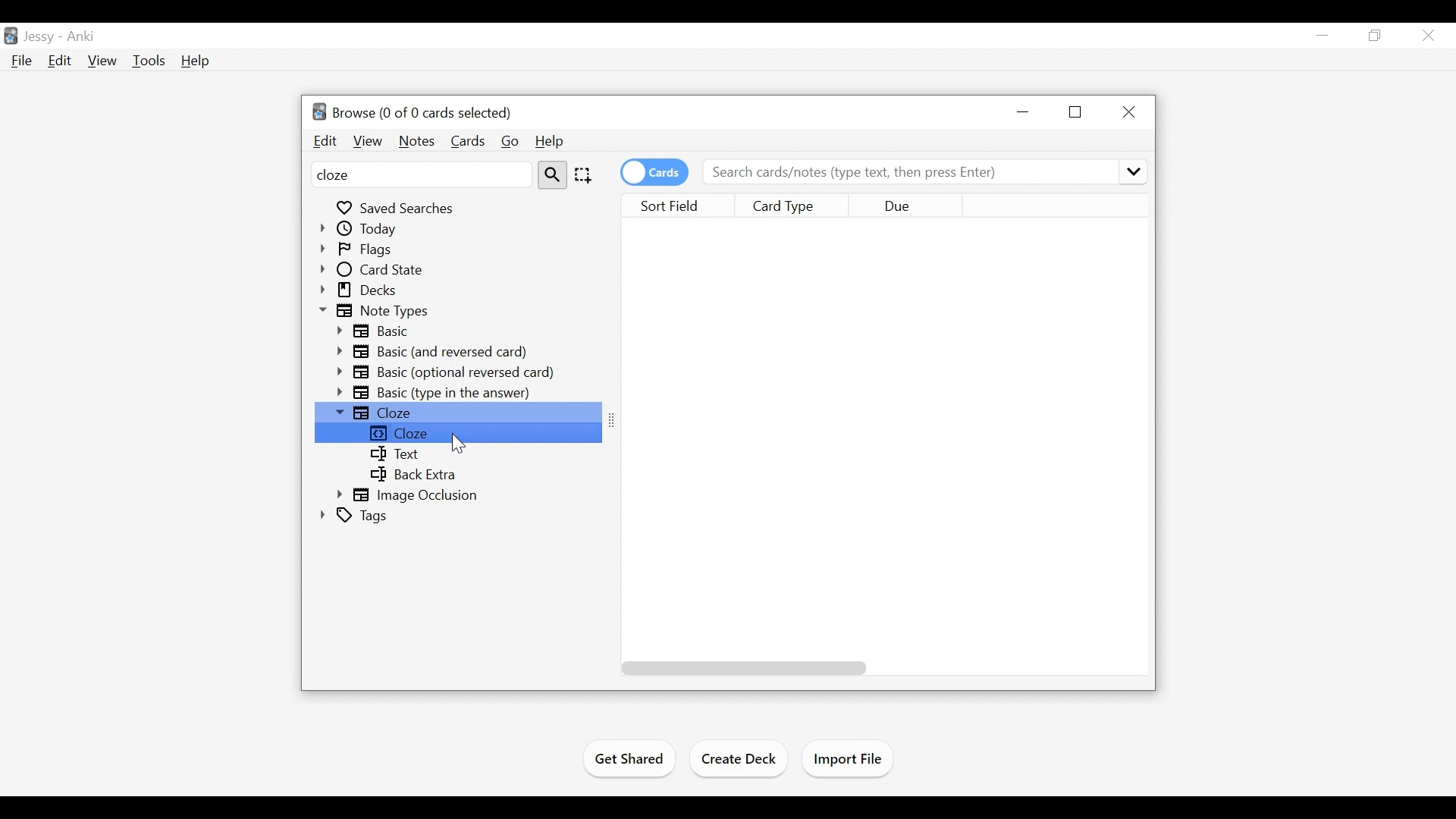 The width and height of the screenshot is (1456, 819). I want to click on Saved Searches, so click(397, 207).